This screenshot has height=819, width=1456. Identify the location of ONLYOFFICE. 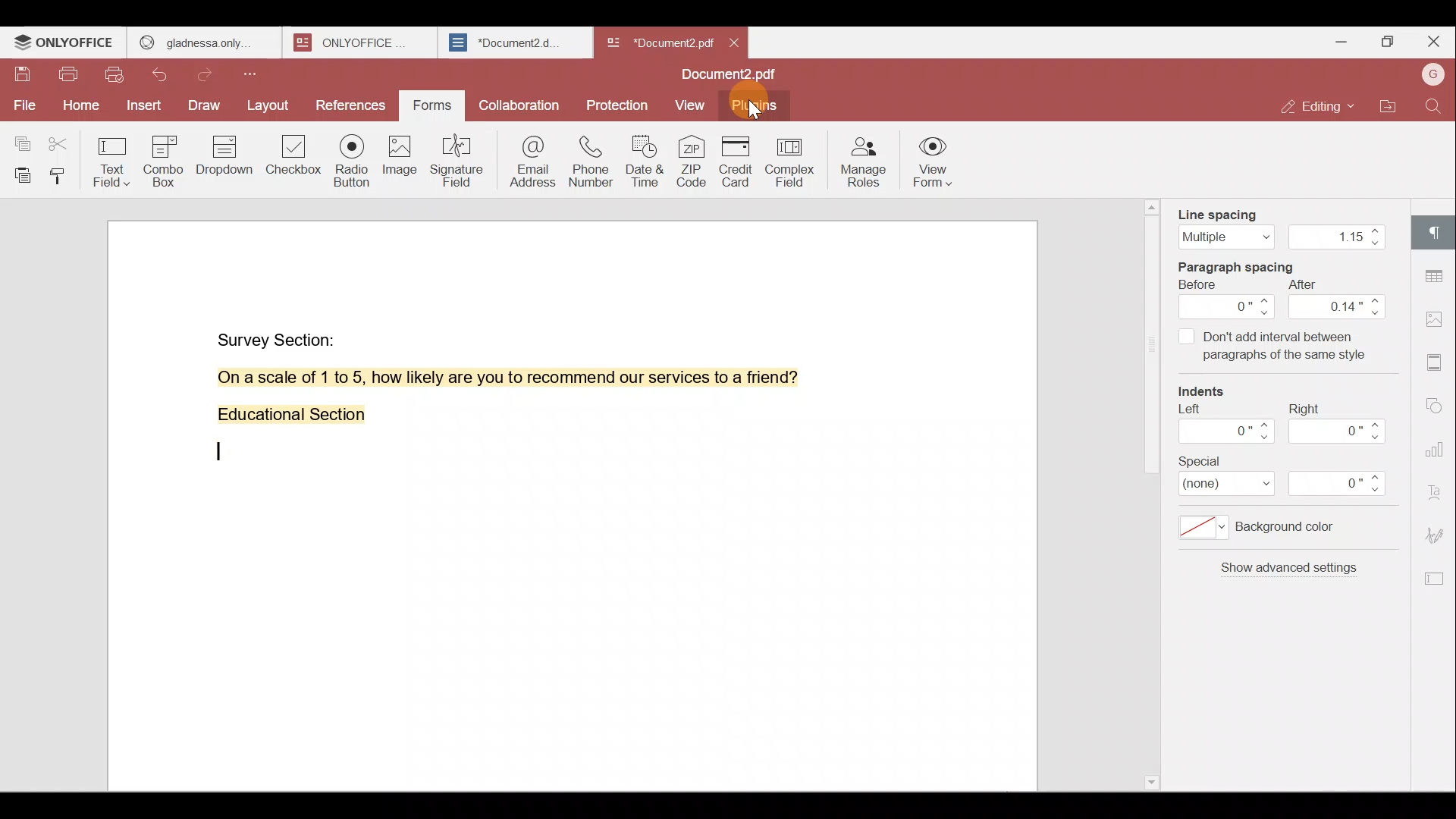
(362, 42).